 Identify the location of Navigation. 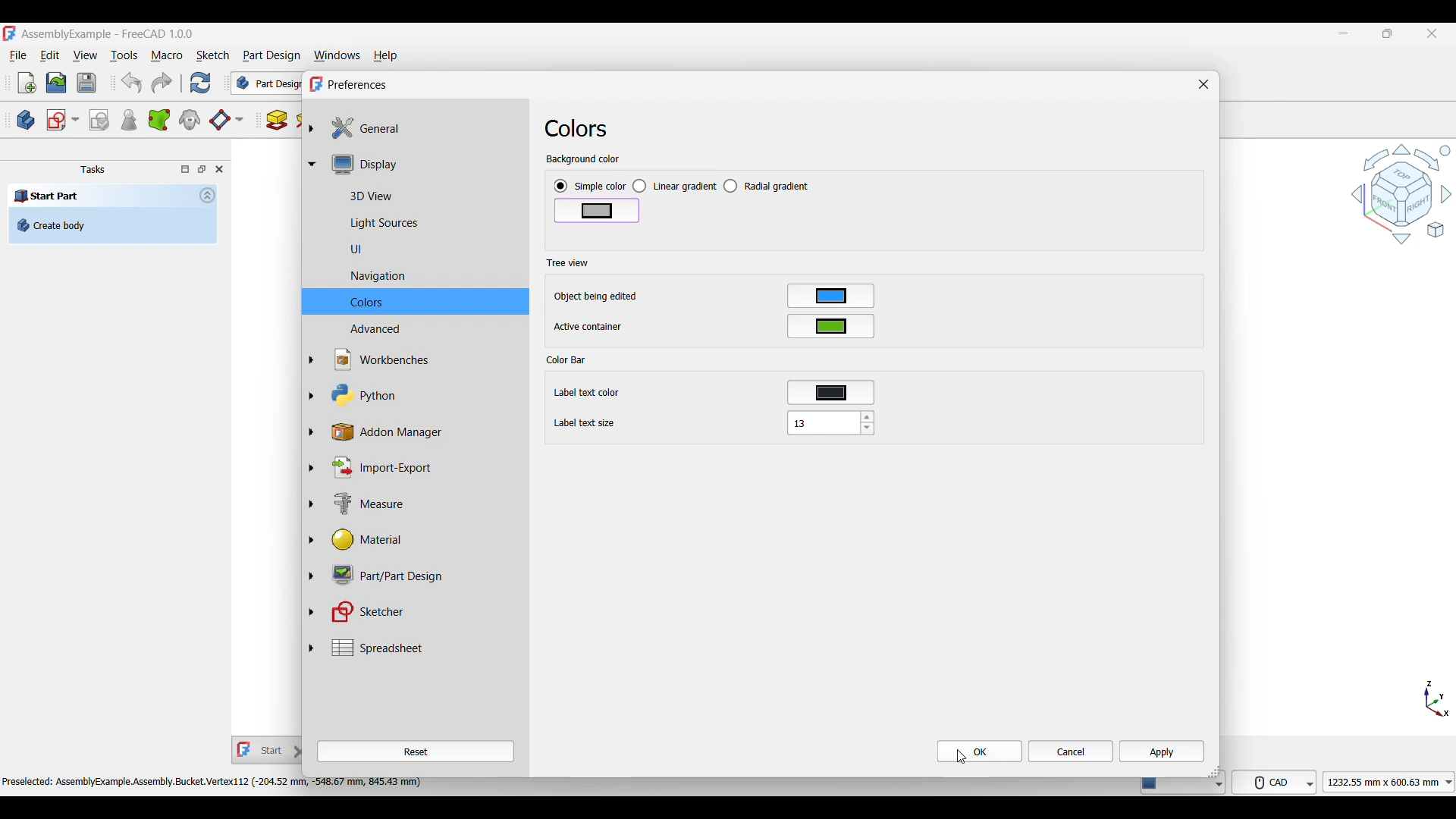
(1401, 193).